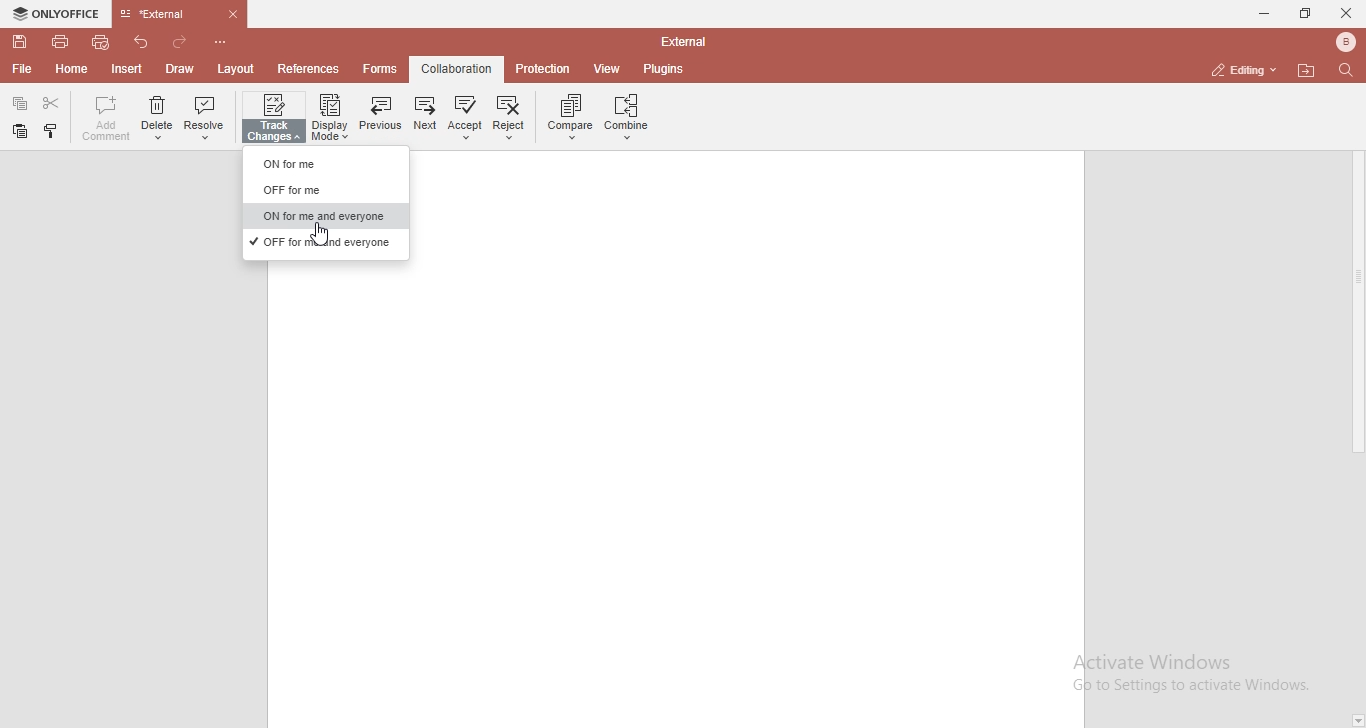 This screenshot has height=728, width=1366. Describe the element at coordinates (21, 131) in the screenshot. I see `copy` at that location.